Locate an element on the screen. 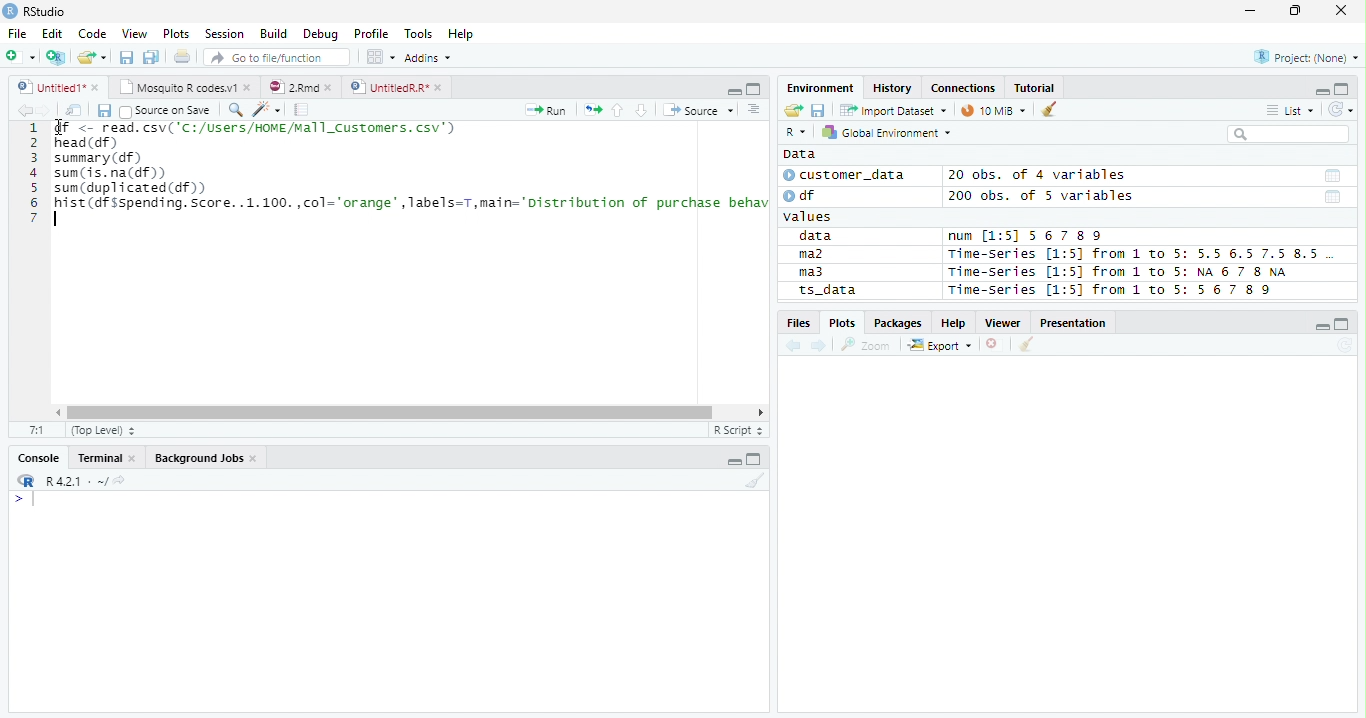 The height and width of the screenshot is (718, 1366). Source is located at coordinates (696, 110).